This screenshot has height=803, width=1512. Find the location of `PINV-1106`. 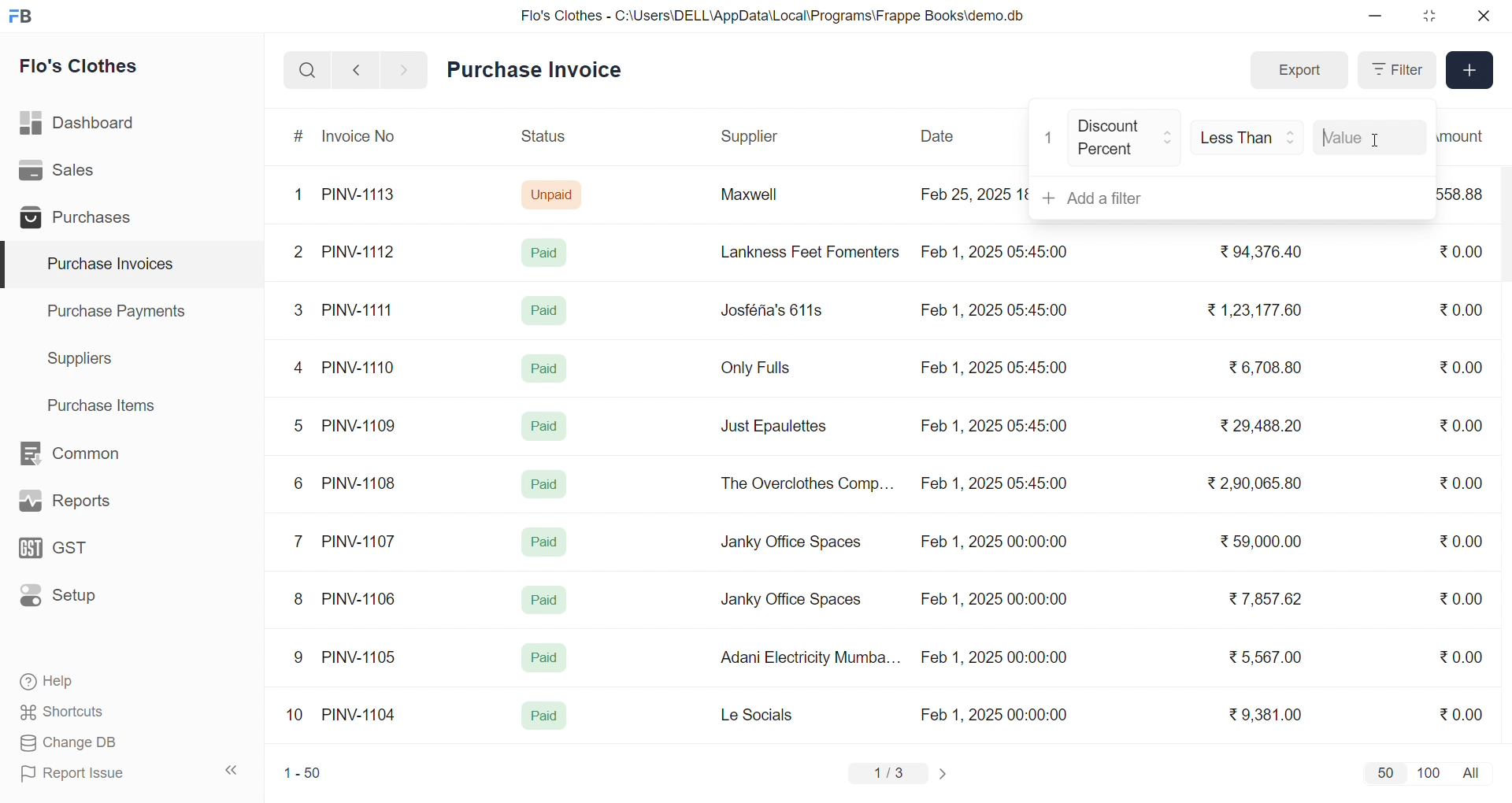

PINV-1106 is located at coordinates (365, 599).